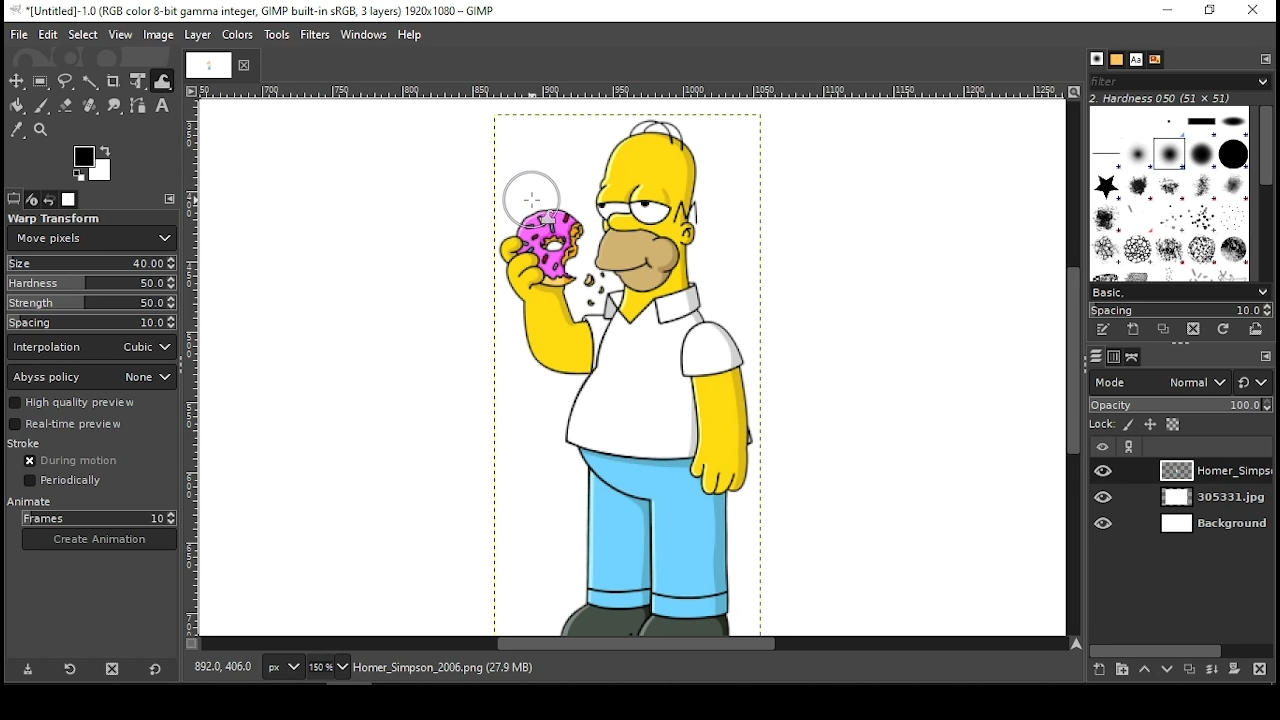  I want to click on open brush as image, so click(1259, 329).